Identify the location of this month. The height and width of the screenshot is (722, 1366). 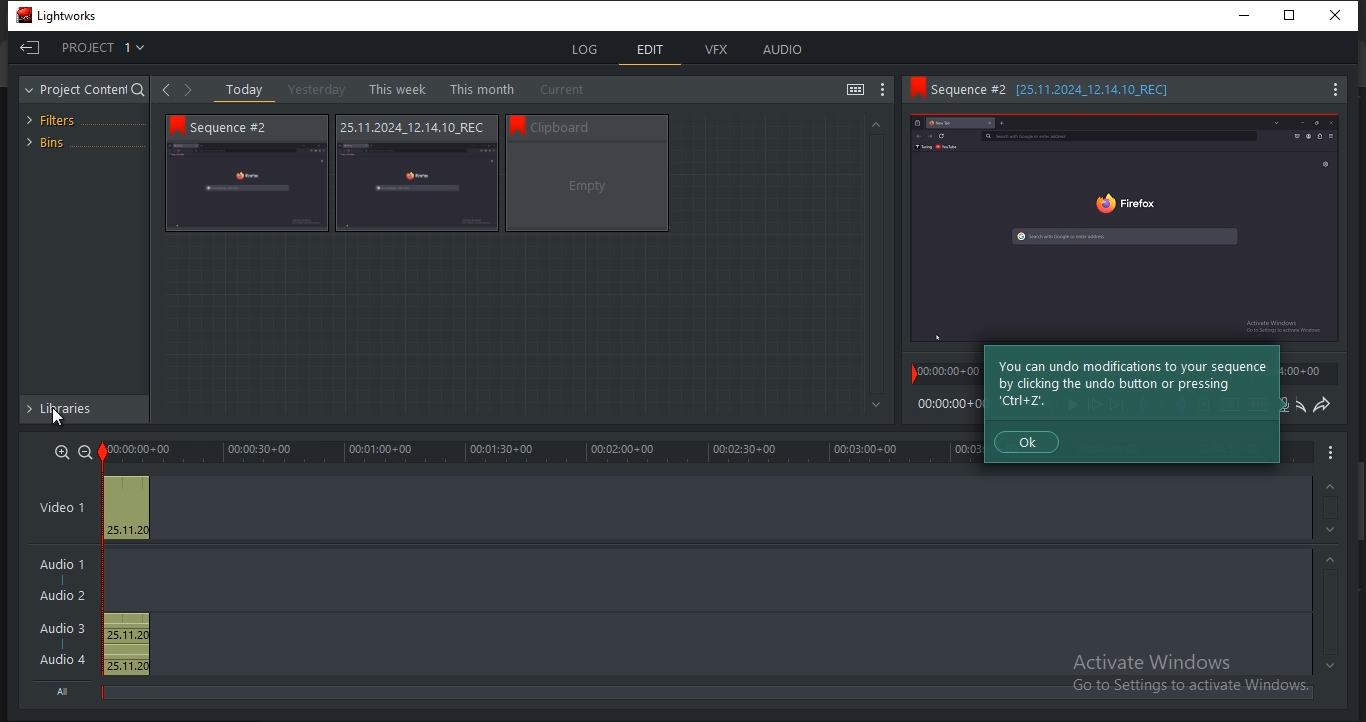
(482, 88).